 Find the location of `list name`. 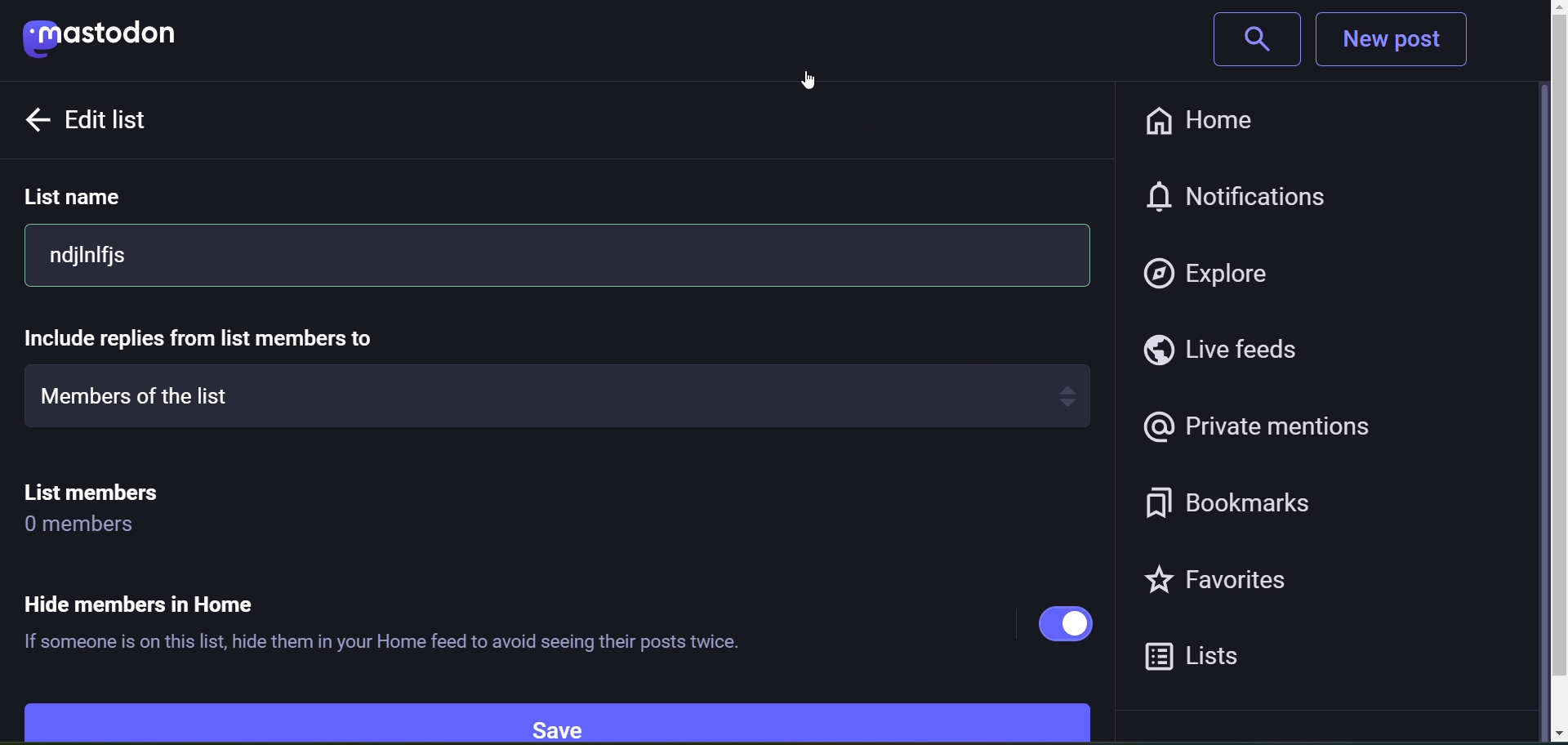

list name is located at coordinates (93, 199).